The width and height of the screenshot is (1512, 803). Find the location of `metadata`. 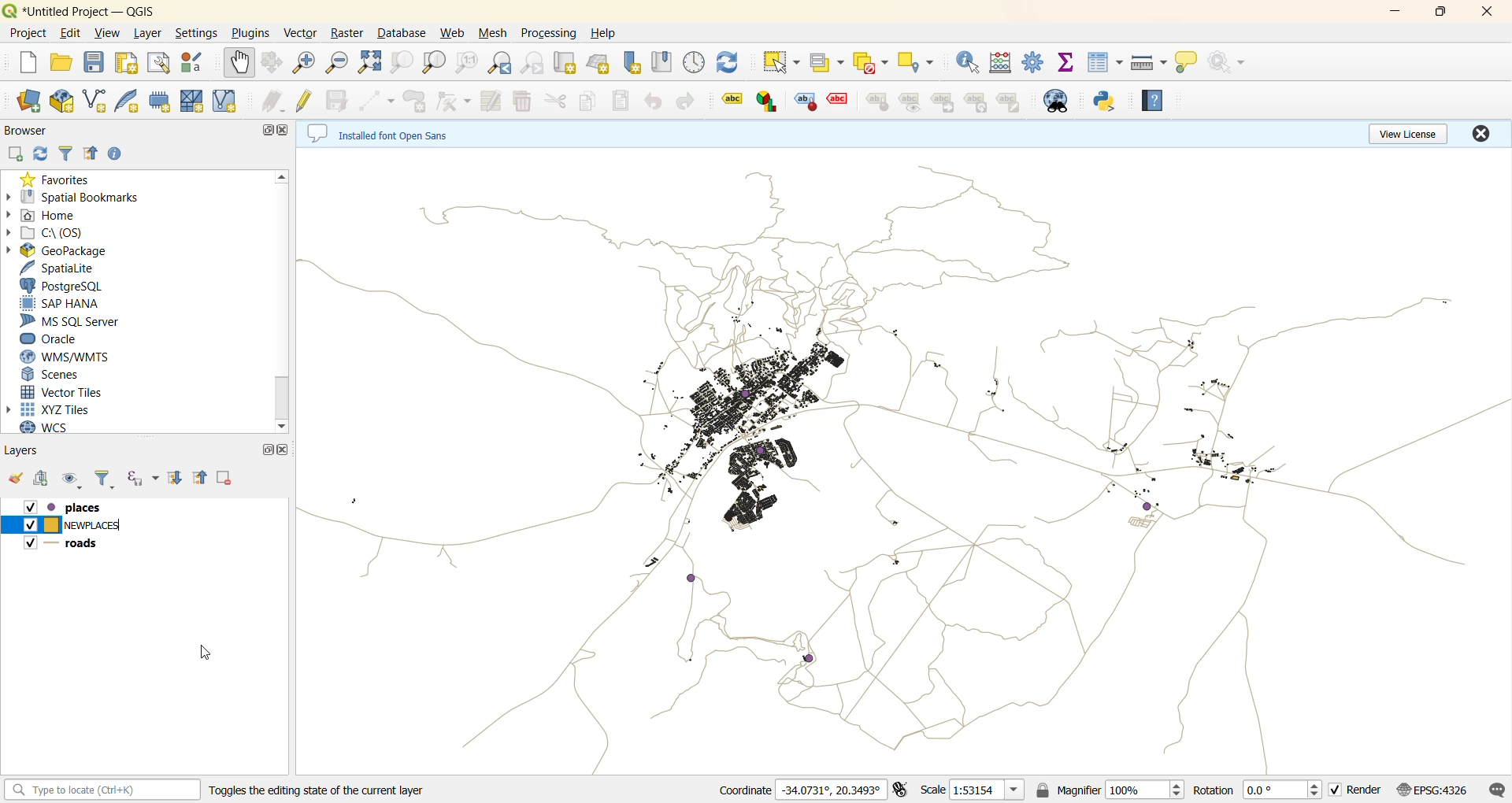

metadata is located at coordinates (390, 132).